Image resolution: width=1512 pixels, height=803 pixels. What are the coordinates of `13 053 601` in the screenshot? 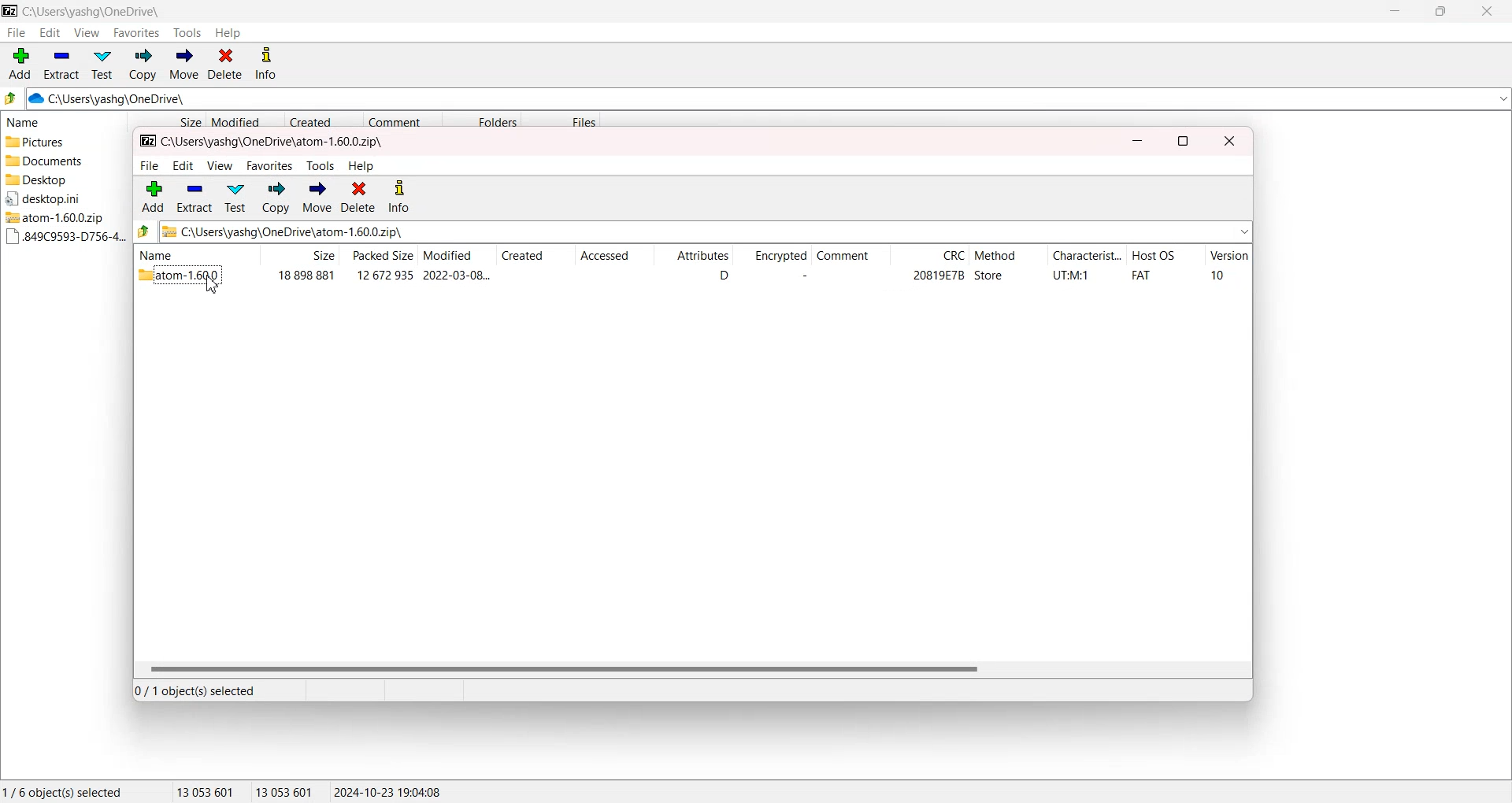 It's located at (206, 791).